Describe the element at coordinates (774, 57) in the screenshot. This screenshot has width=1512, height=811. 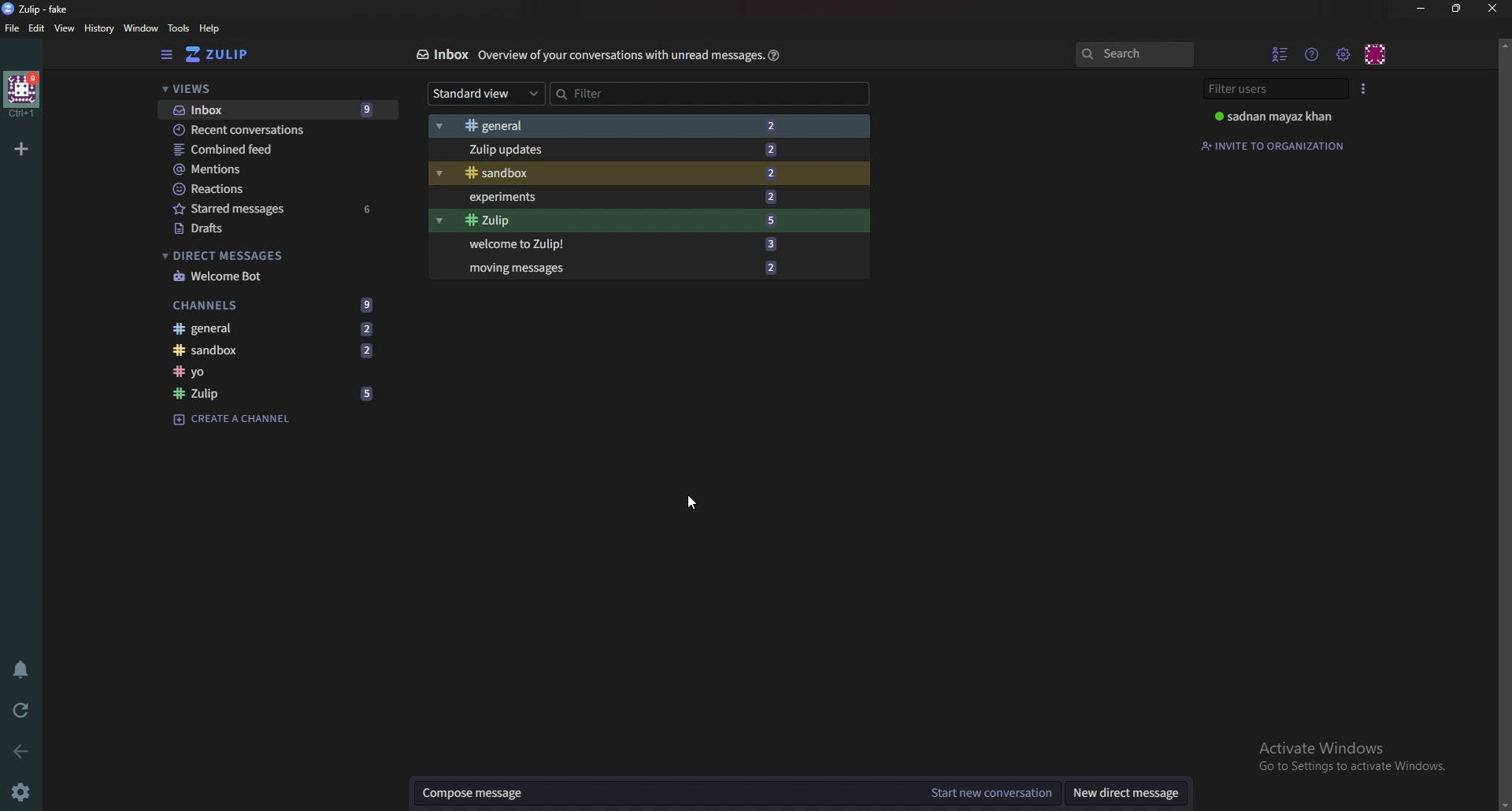
I see `help` at that location.